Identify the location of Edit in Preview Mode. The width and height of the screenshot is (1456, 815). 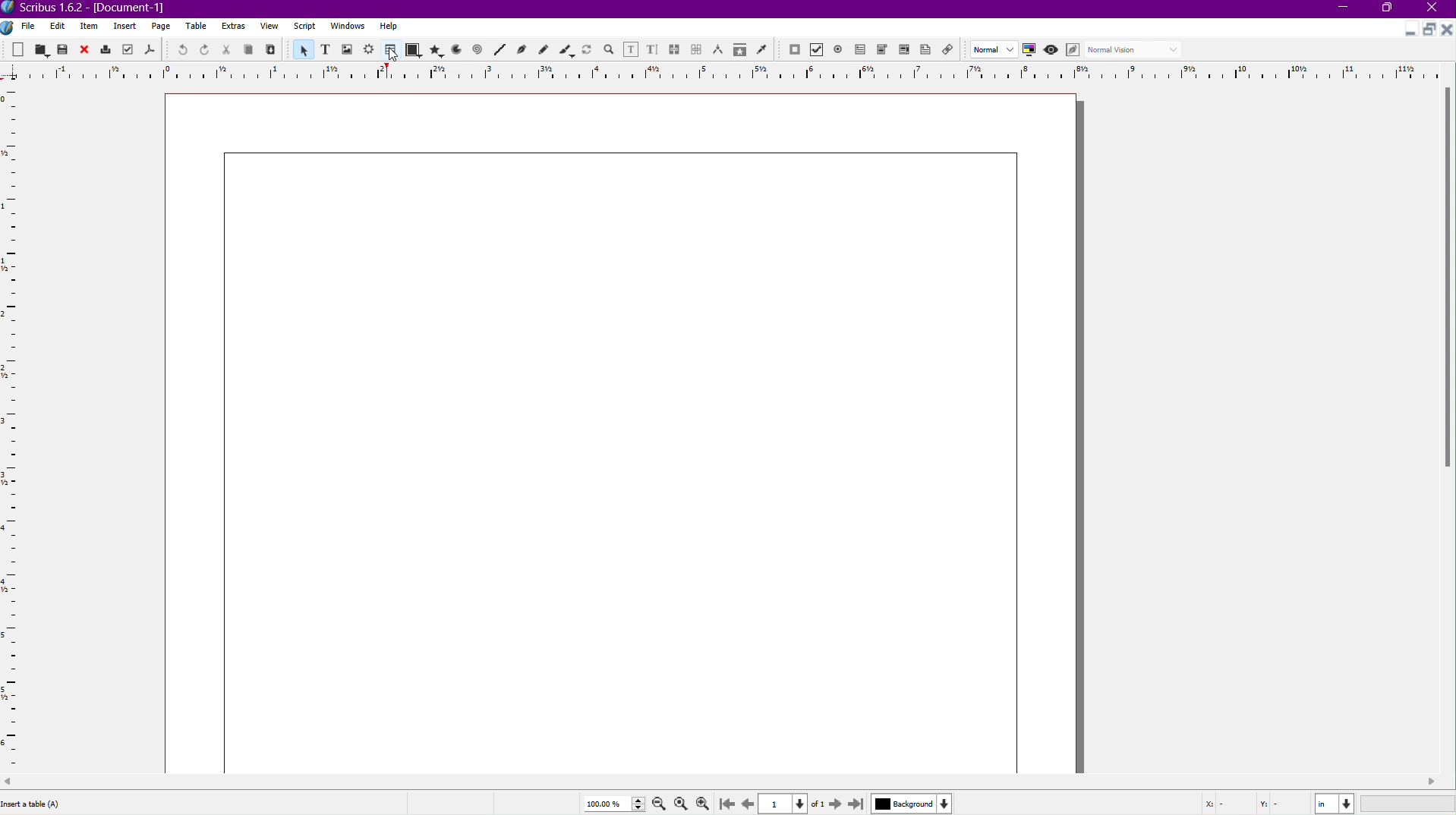
(1075, 50).